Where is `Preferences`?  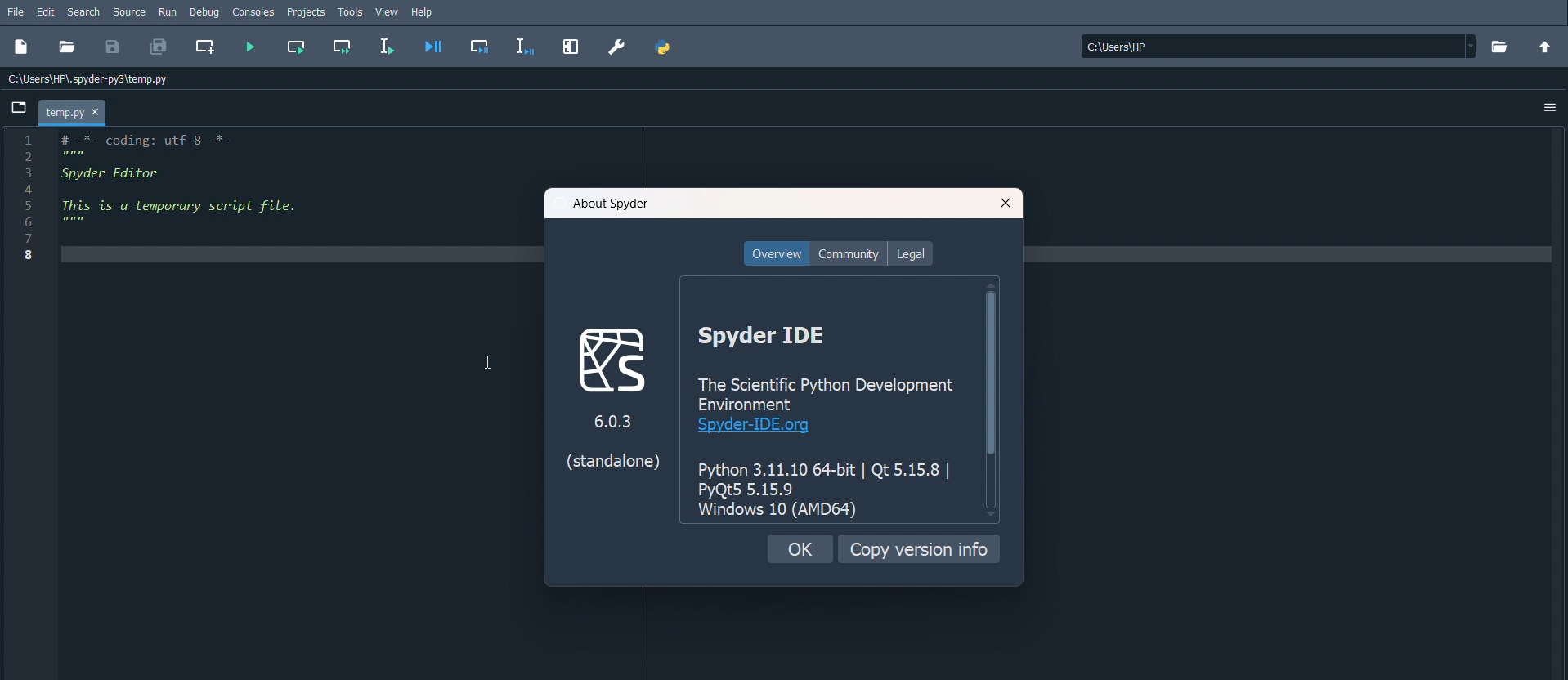 Preferences is located at coordinates (616, 44).